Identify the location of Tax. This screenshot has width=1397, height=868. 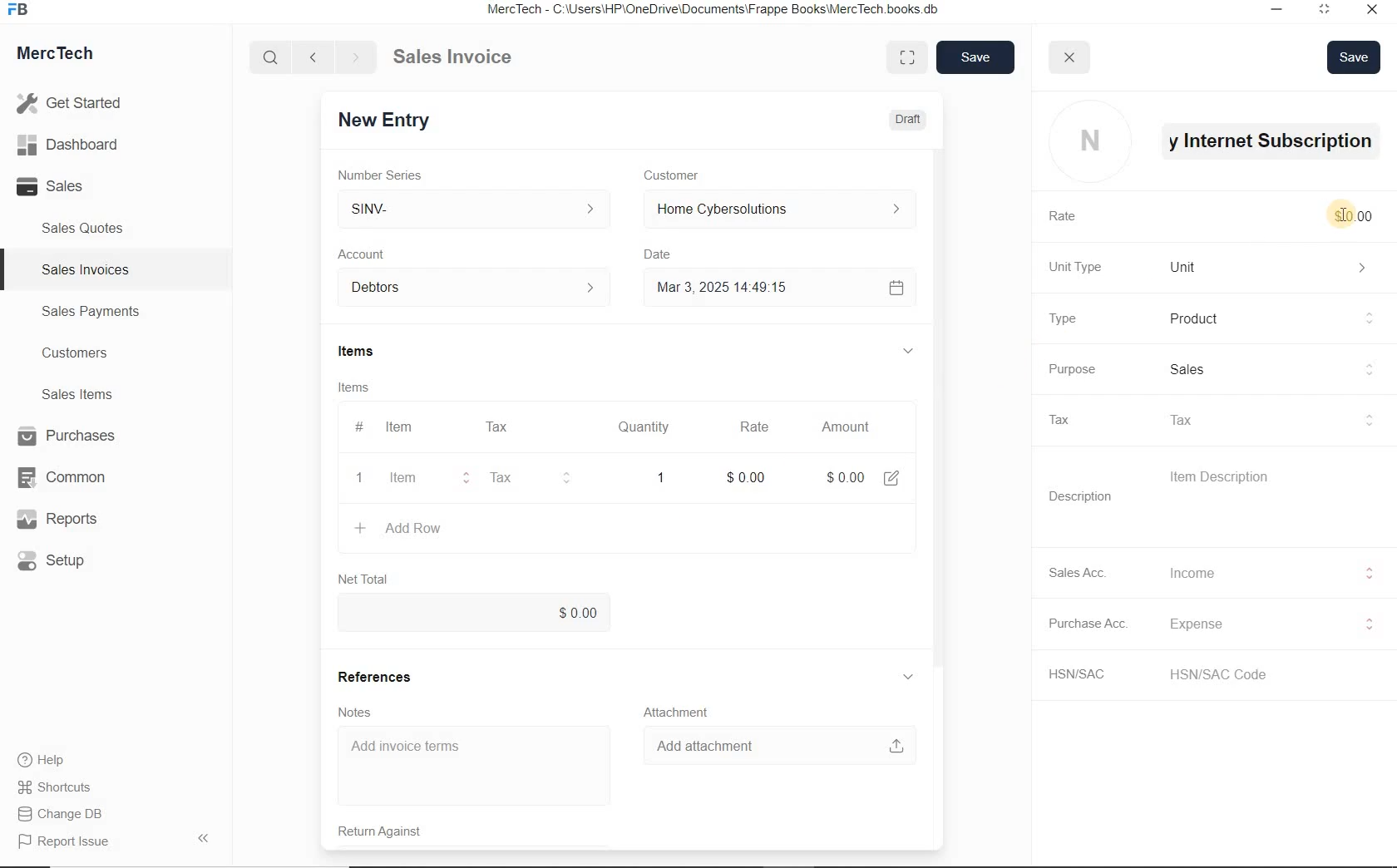
(1066, 419).